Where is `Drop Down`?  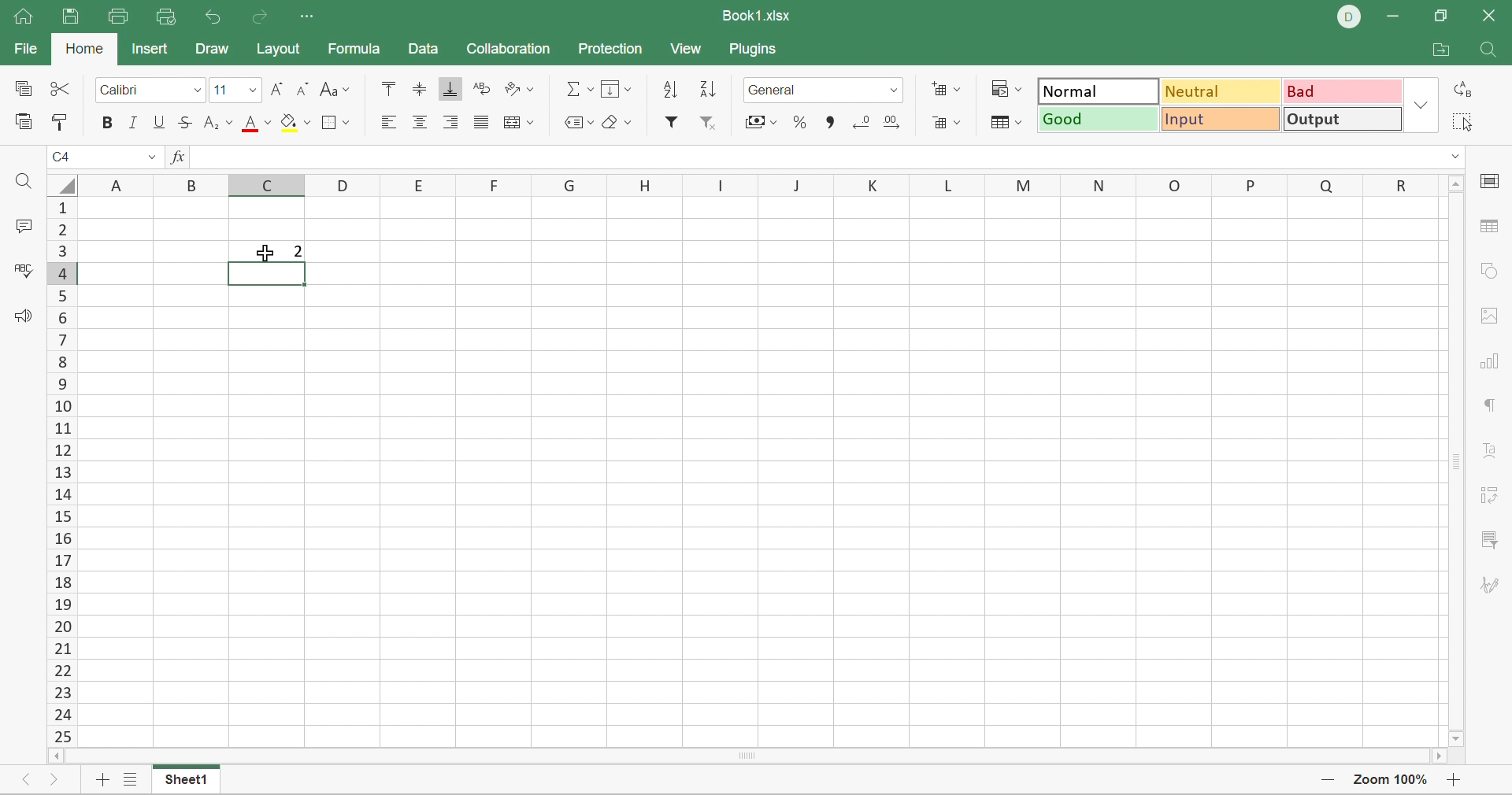 Drop Down is located at coordinates (1420, 105).